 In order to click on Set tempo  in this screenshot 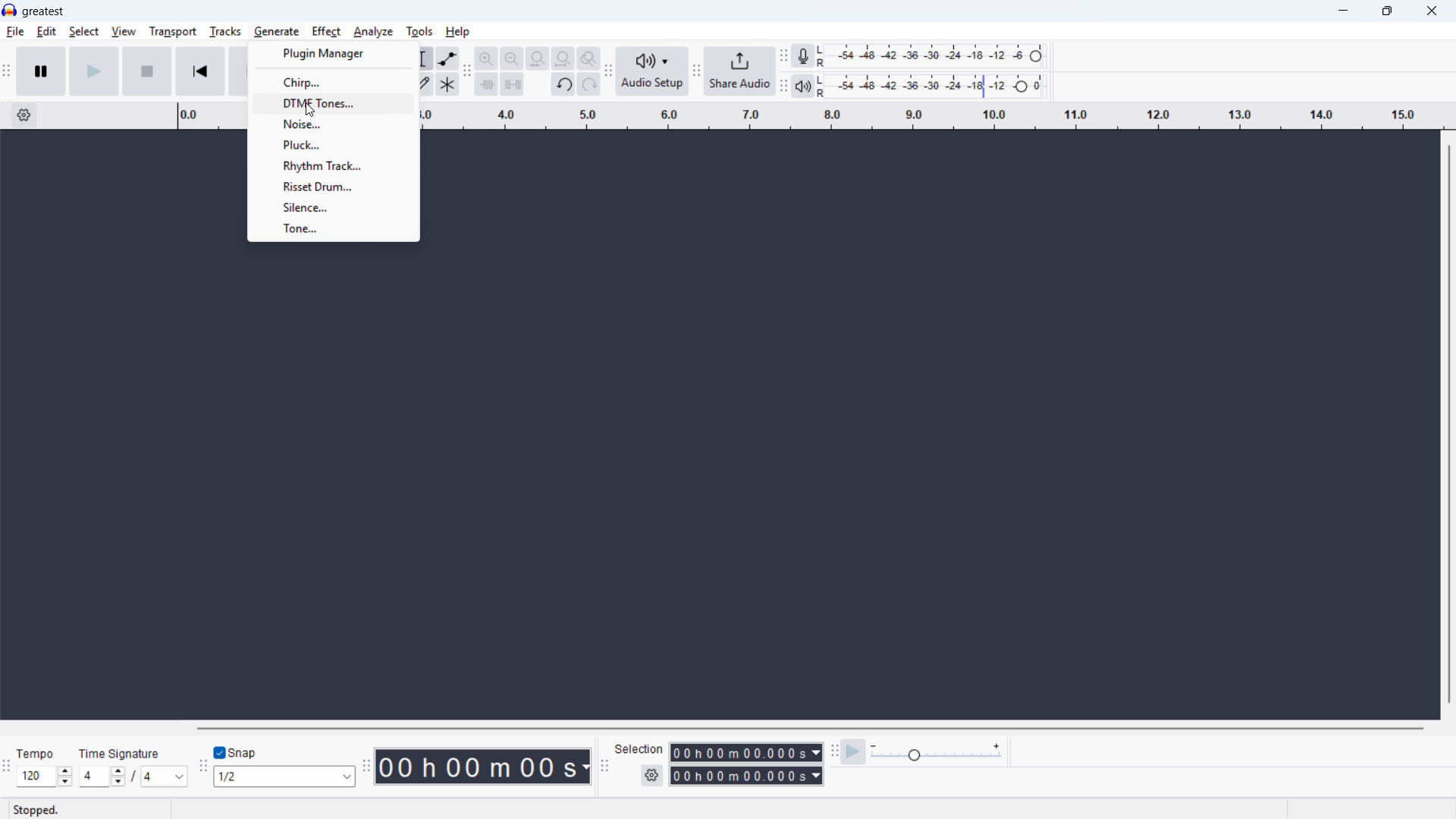, I will do `click(44, 777)`.